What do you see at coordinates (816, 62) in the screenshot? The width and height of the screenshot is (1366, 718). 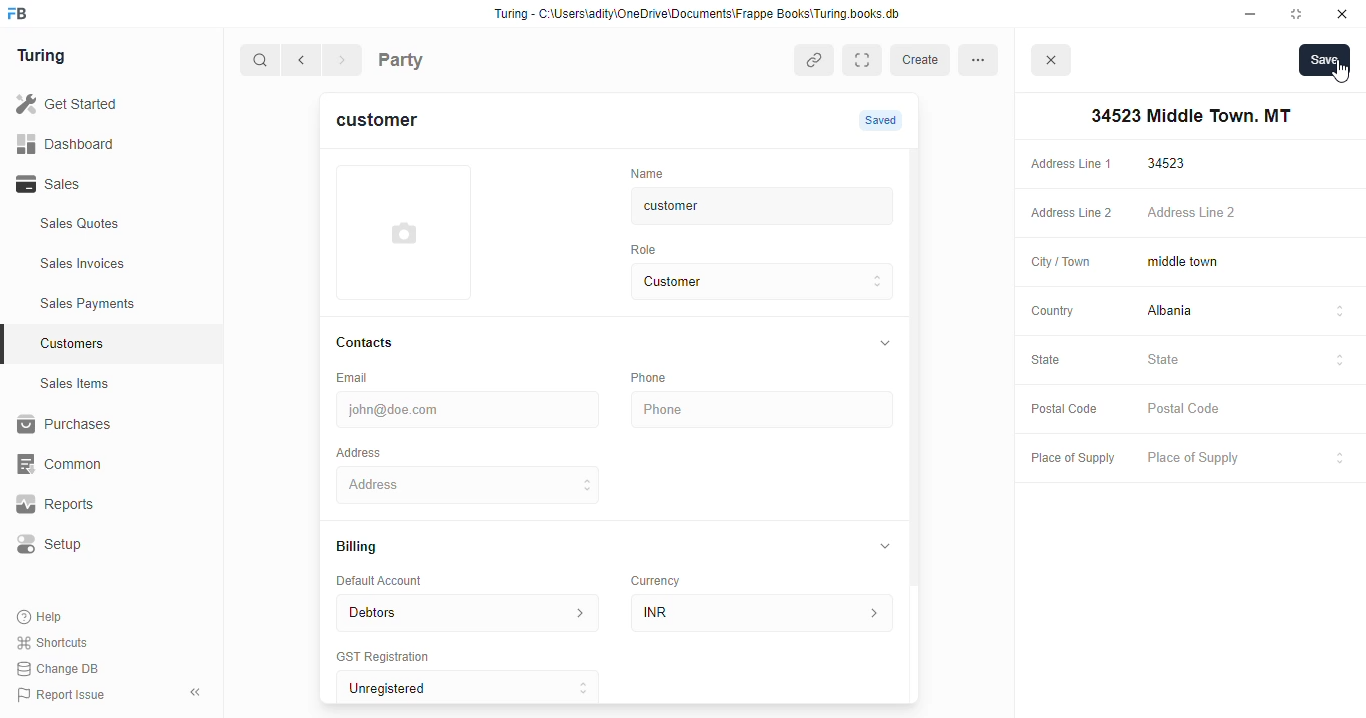 I see `copy link` at bounding box center [816, 62].